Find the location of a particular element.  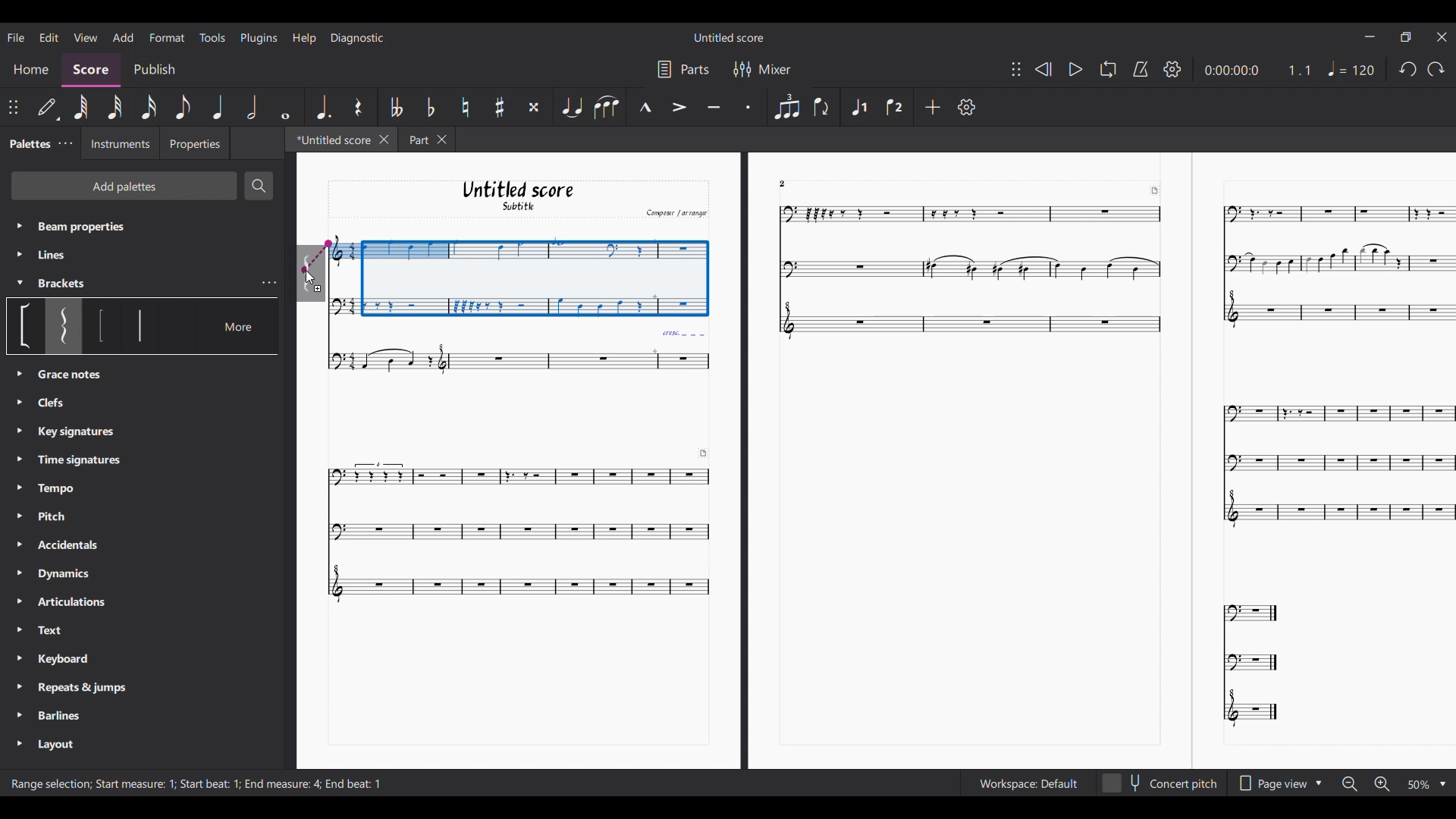

 is located at coordinates (16, 745).